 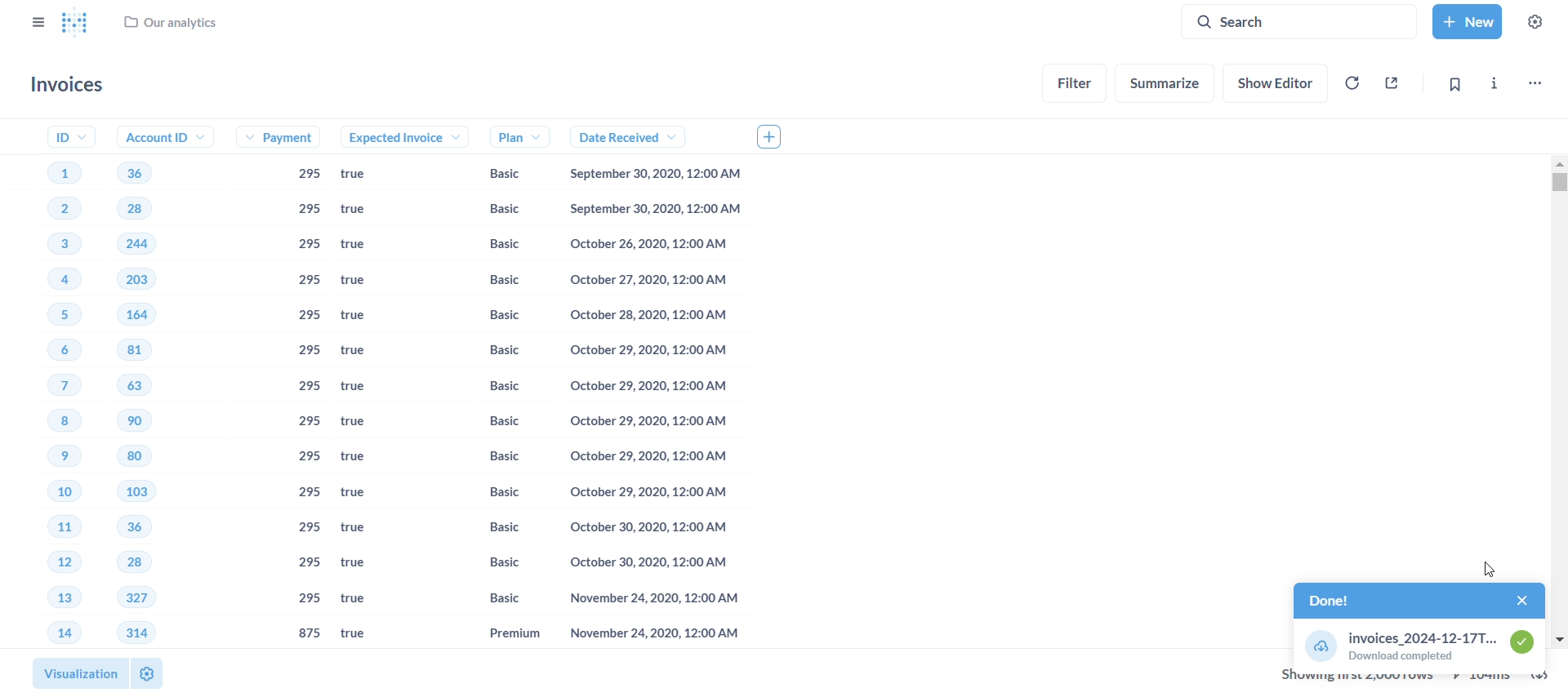 I want to click on sharing, so click(x=1393, y=81).